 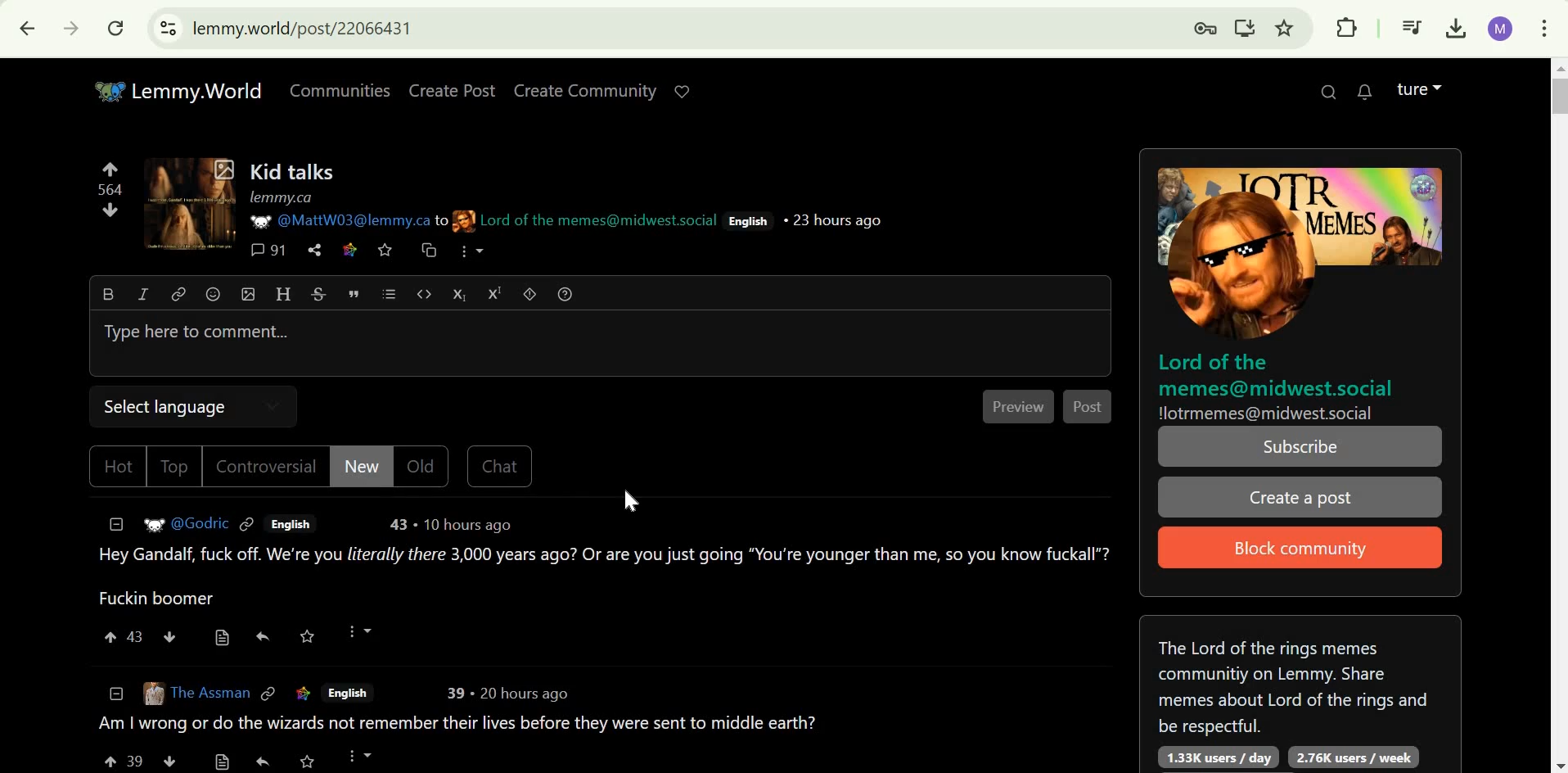 I want to click on New, so click(x=360, y=464).